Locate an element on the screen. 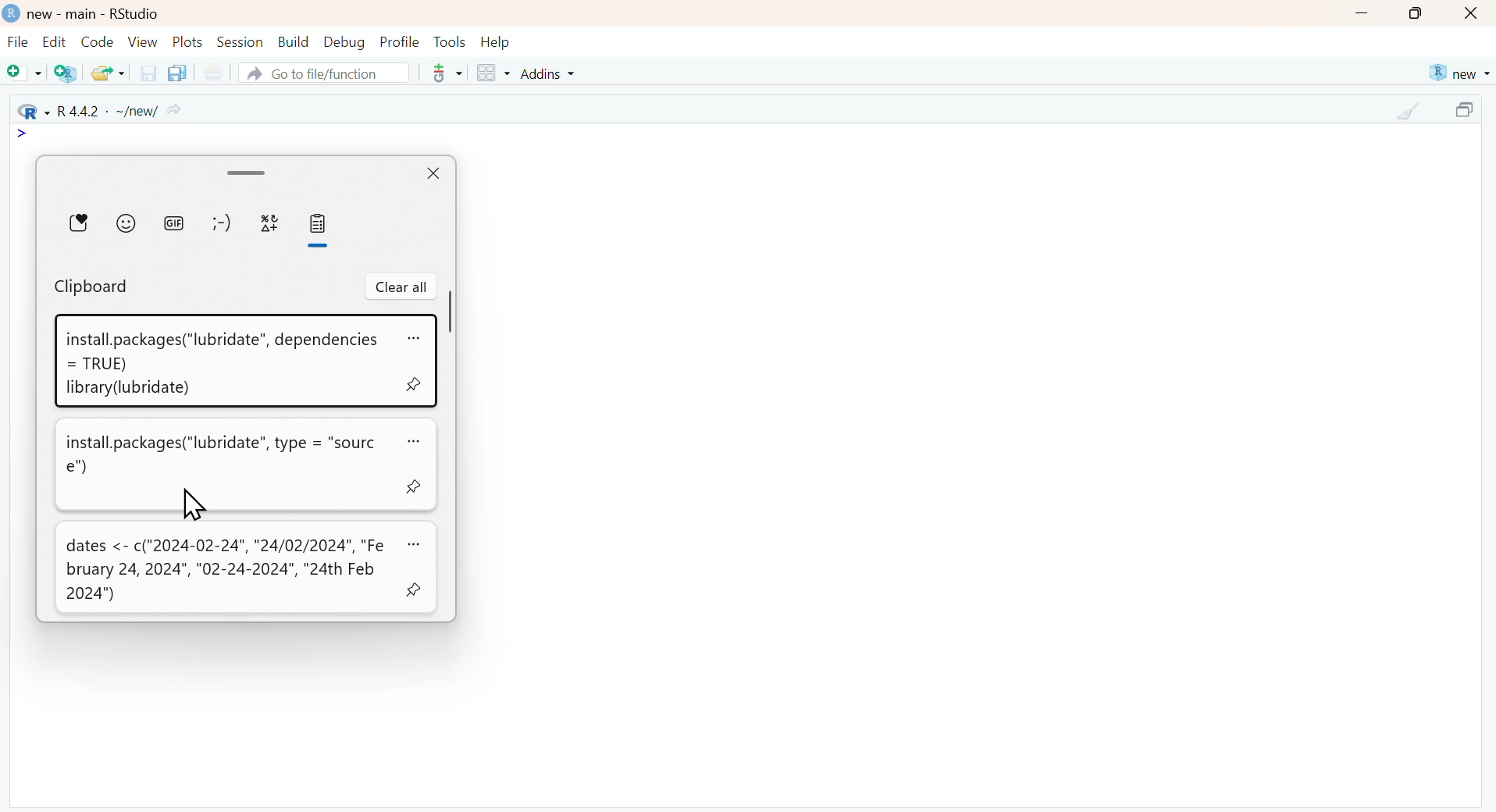 The width and height of the screenshot is (1496, 812). Emoji is located at coordinates (126, 223).